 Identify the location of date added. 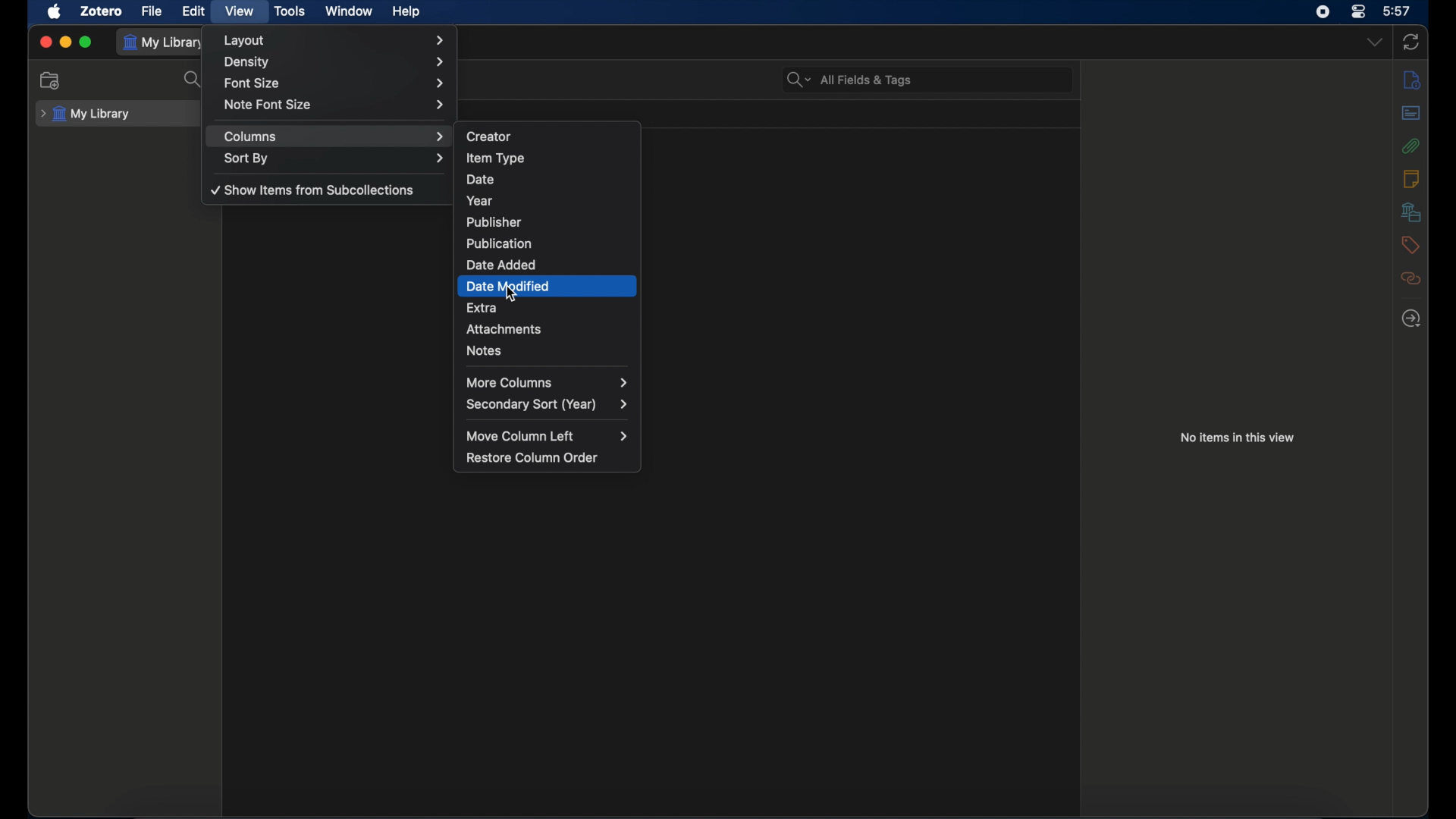
(551, 262).